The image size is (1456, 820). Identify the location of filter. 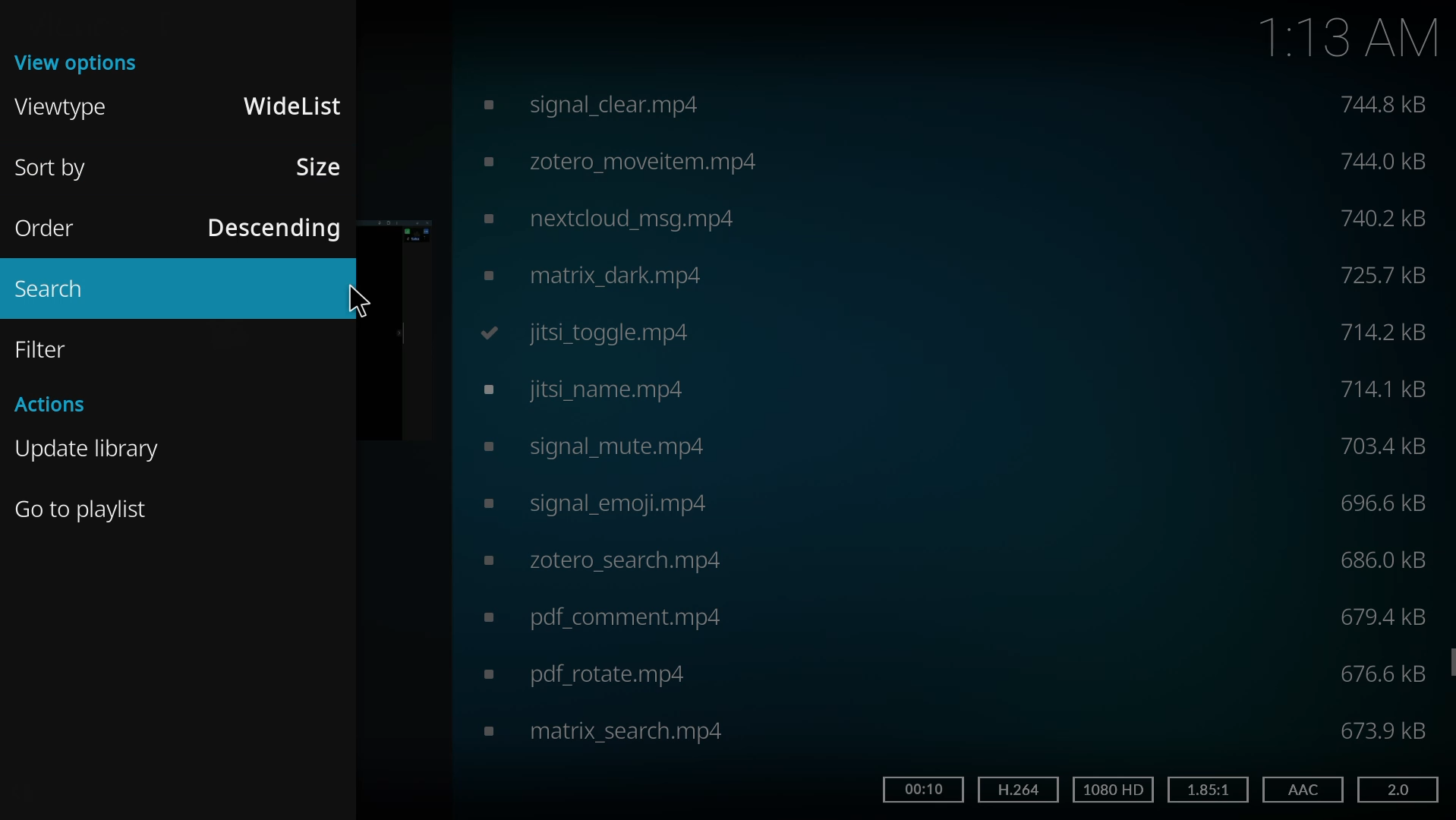
(46, 347).